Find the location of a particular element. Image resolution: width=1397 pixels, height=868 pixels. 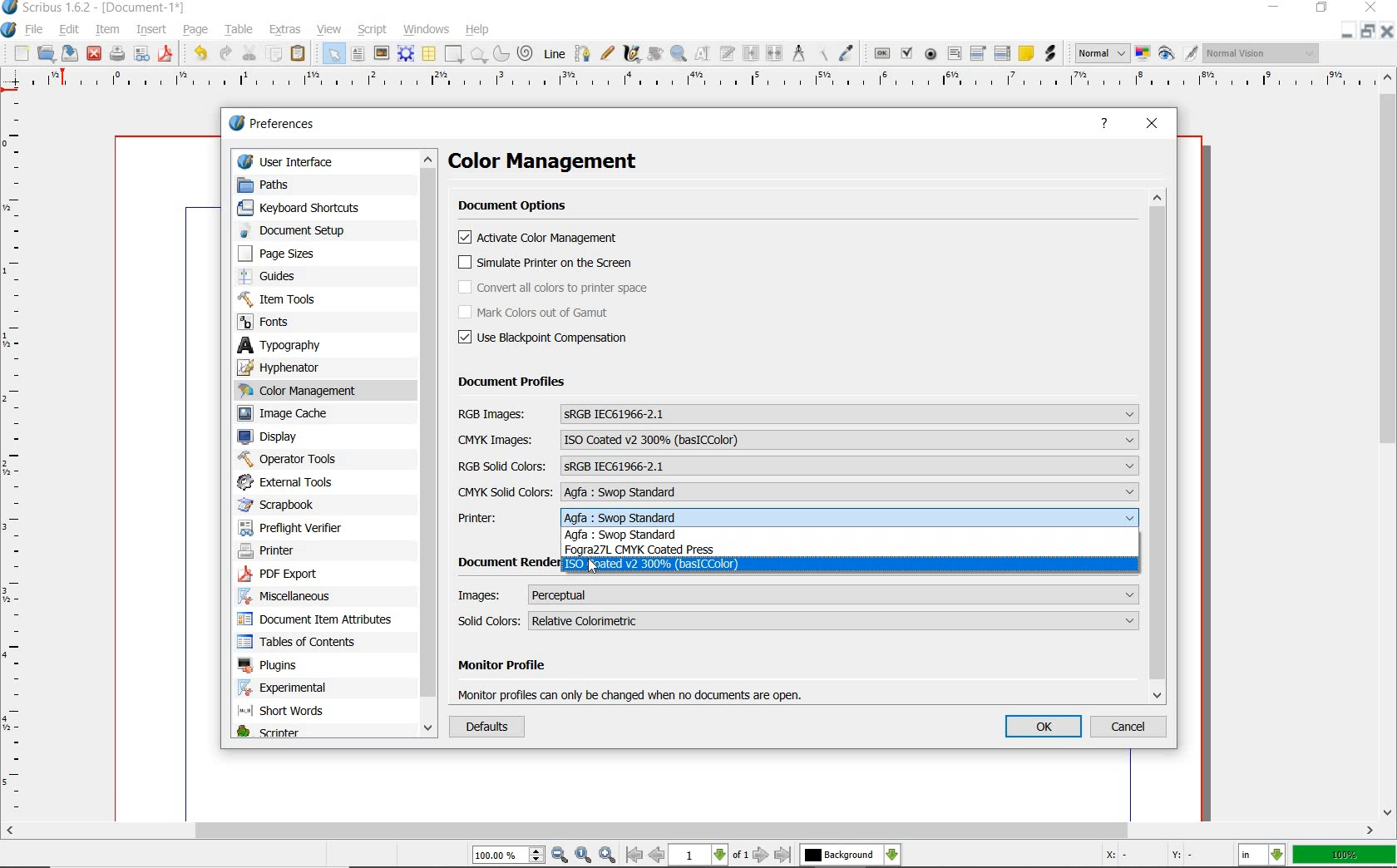

shape is located at coordinates (455, 54).